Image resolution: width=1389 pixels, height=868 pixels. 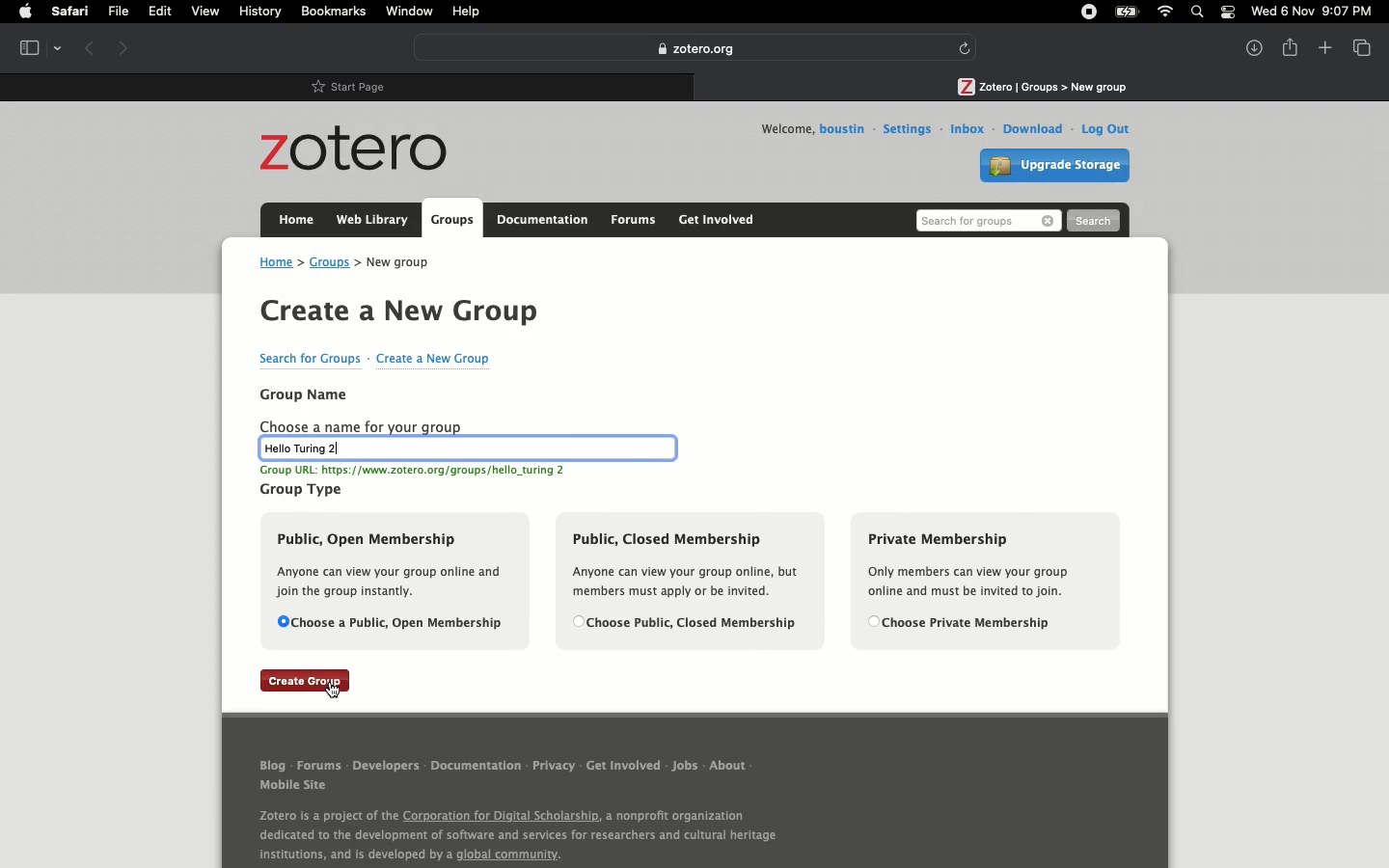 What do you see at coordinates (122, 12) in the screenshot?
I see `File` at bounding box center [122, 12].